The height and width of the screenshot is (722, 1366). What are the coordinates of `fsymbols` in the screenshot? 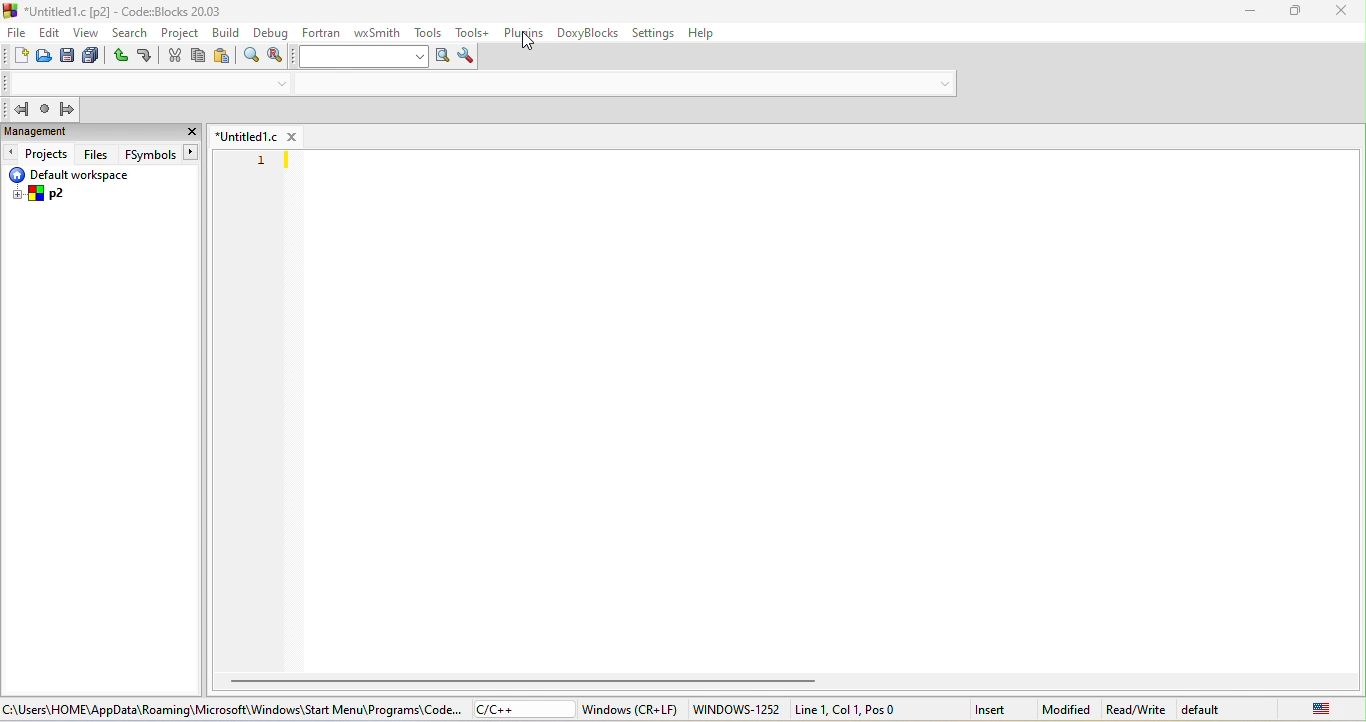 It's located at (148, 154).